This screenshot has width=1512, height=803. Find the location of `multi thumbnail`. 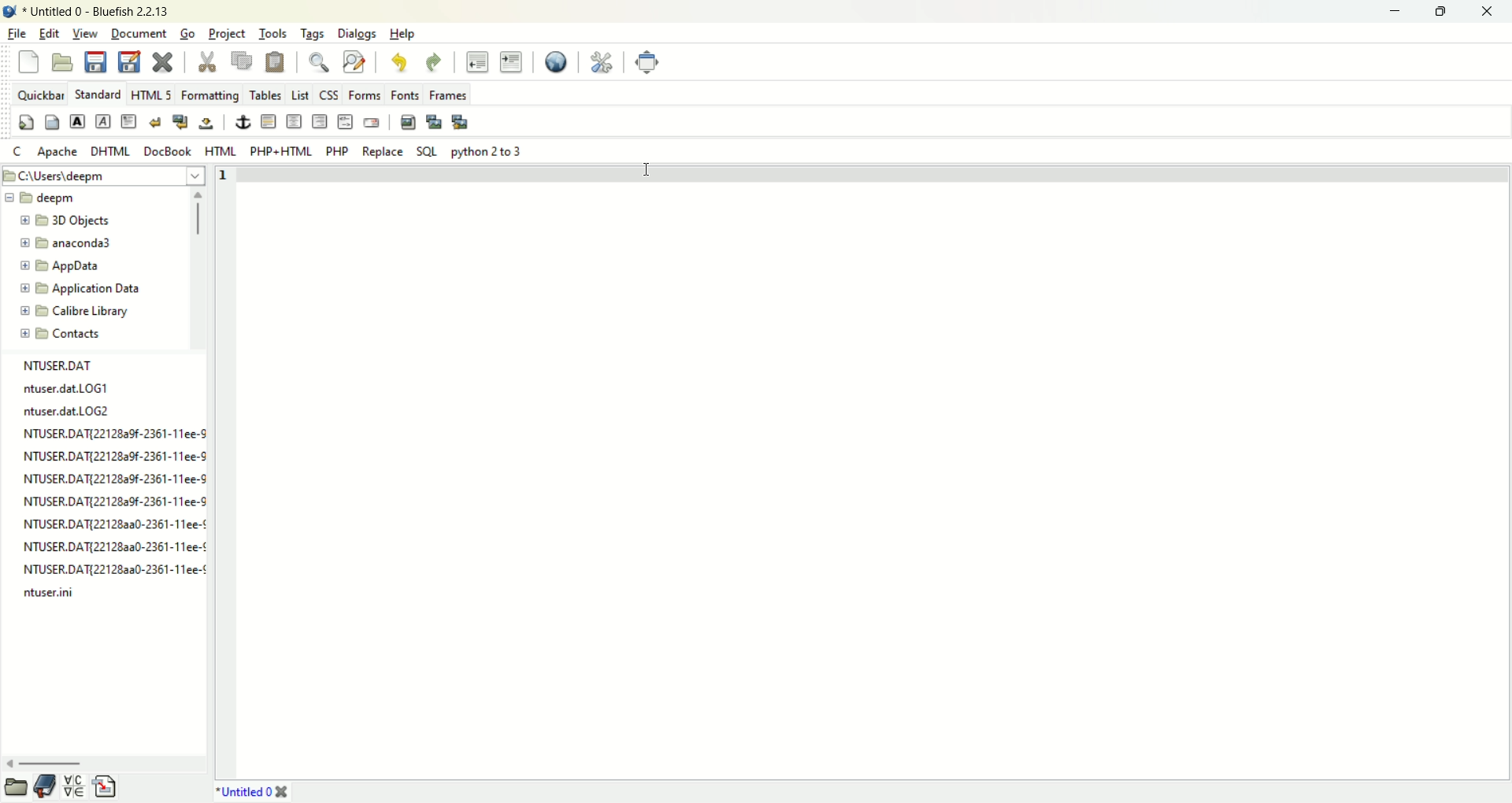

multi thumbnail is located at coordinates (460, 121).